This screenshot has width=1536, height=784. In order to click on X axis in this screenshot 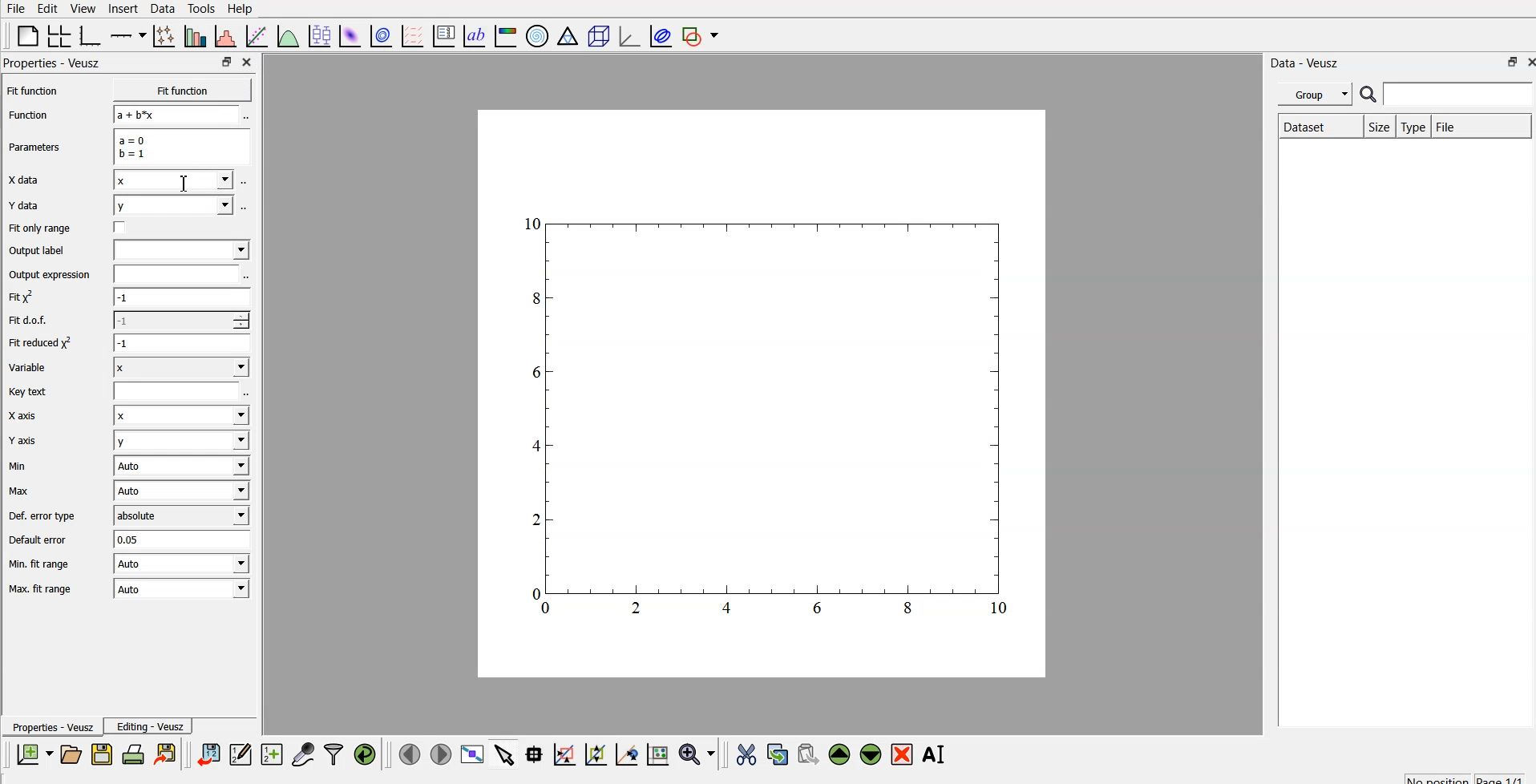, I will do `click(38, 417)`.